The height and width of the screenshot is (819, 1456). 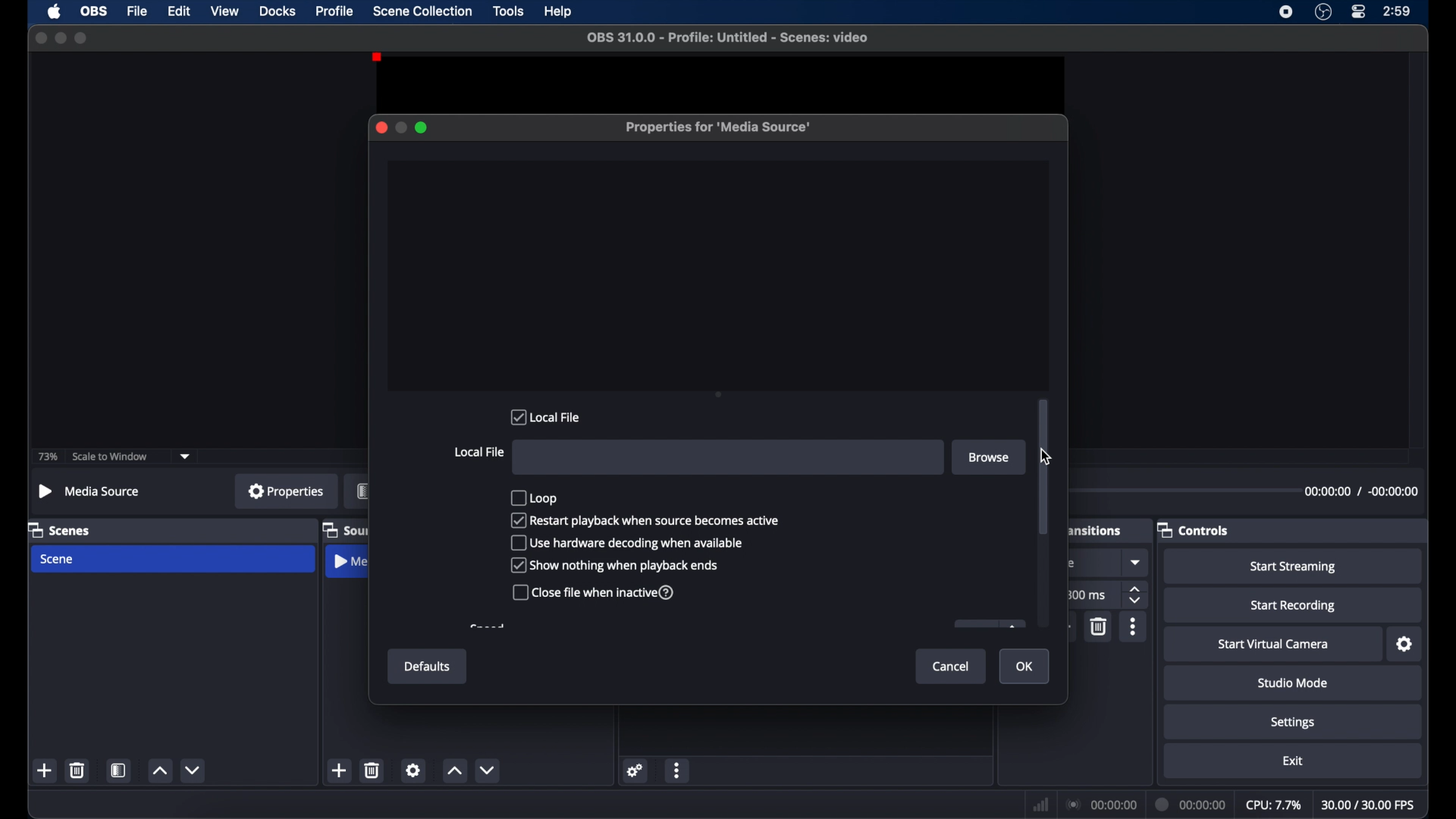 I want to click on close, so click(x=381, y=127).